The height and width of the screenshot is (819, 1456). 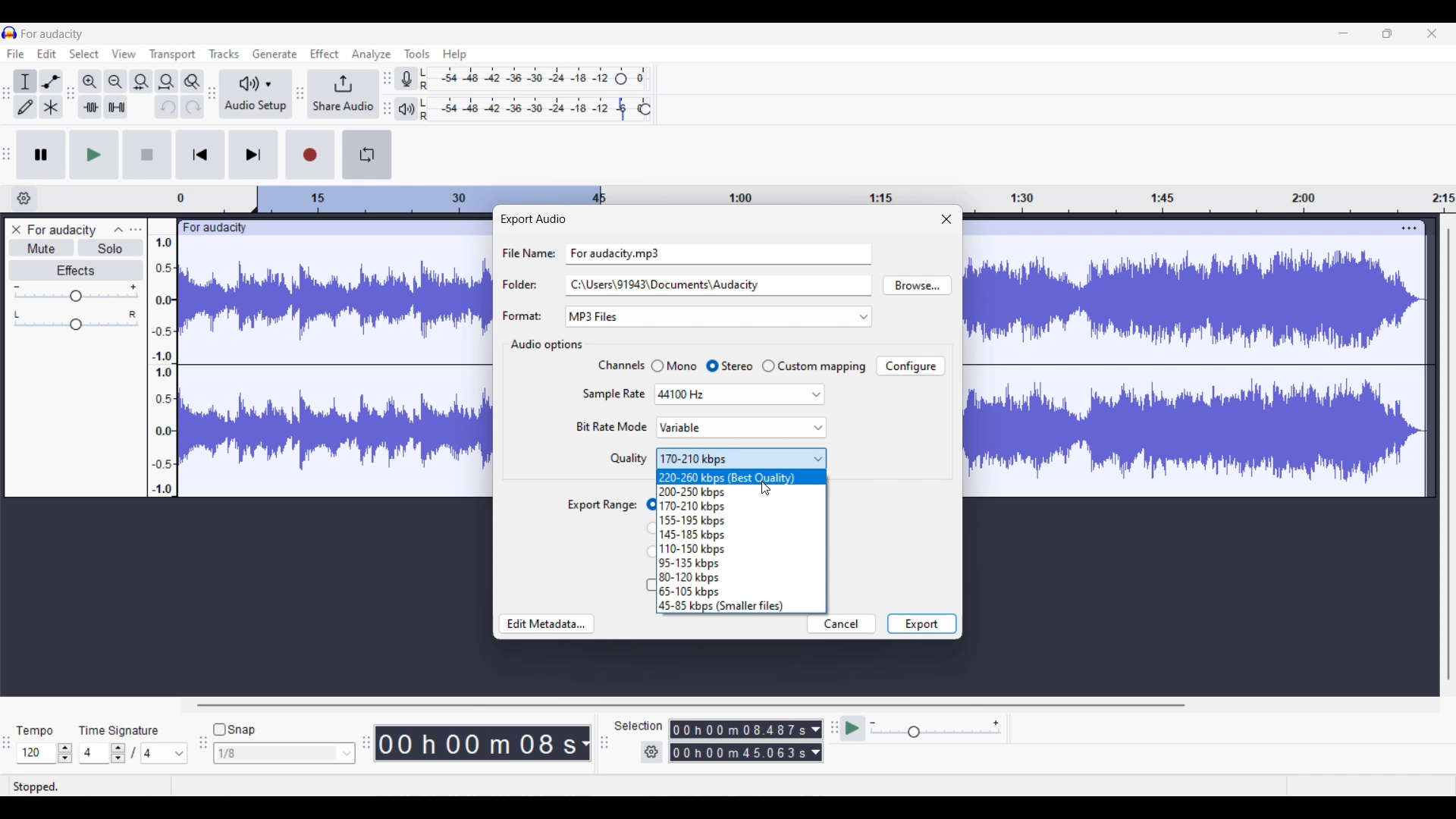 What do you see at coordinates (719, 253) in the screenshot?
I see `Text box for File Name` at bounding box center [719, 253].